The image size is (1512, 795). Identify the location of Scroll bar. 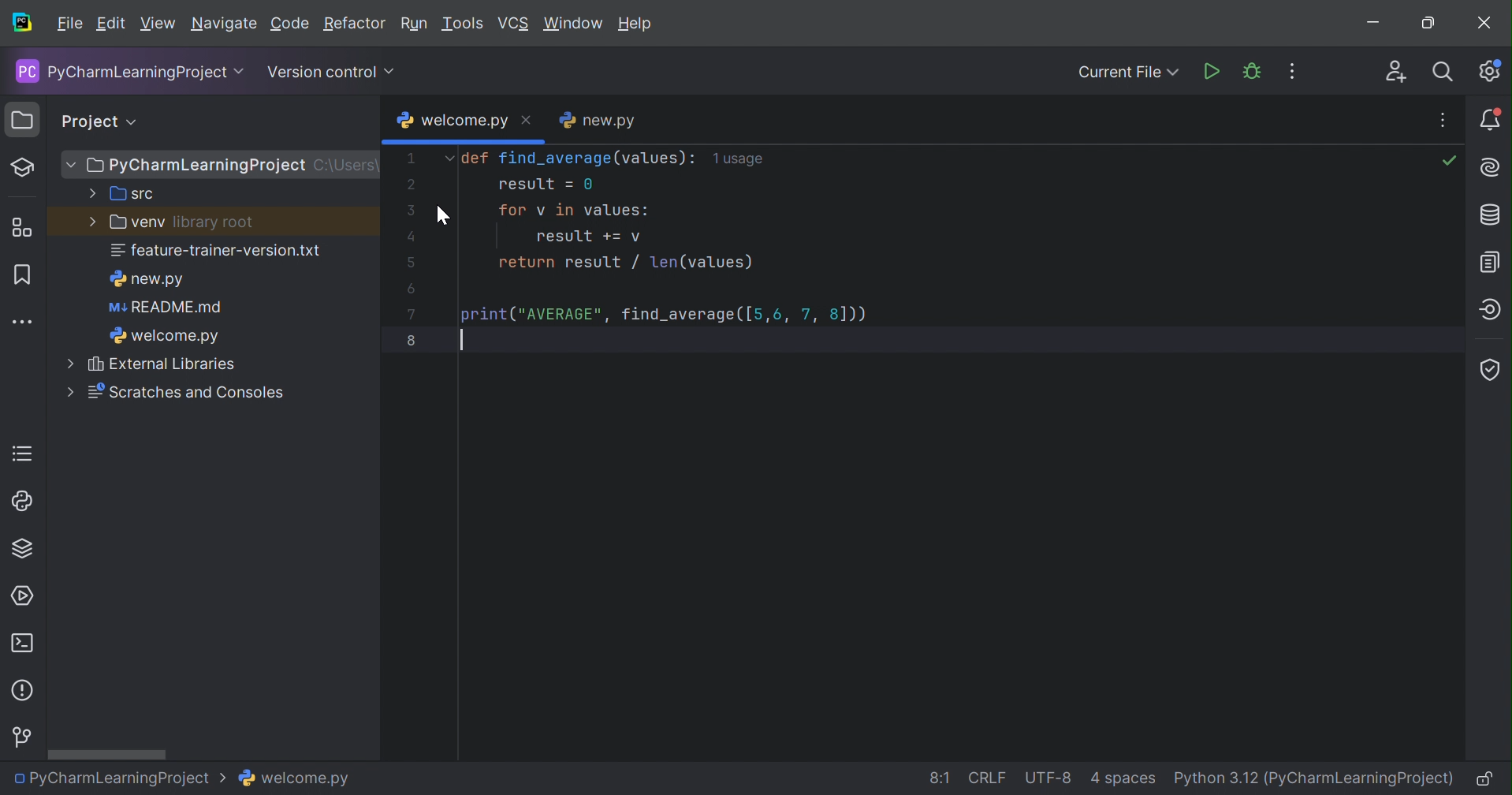
(109, 753).